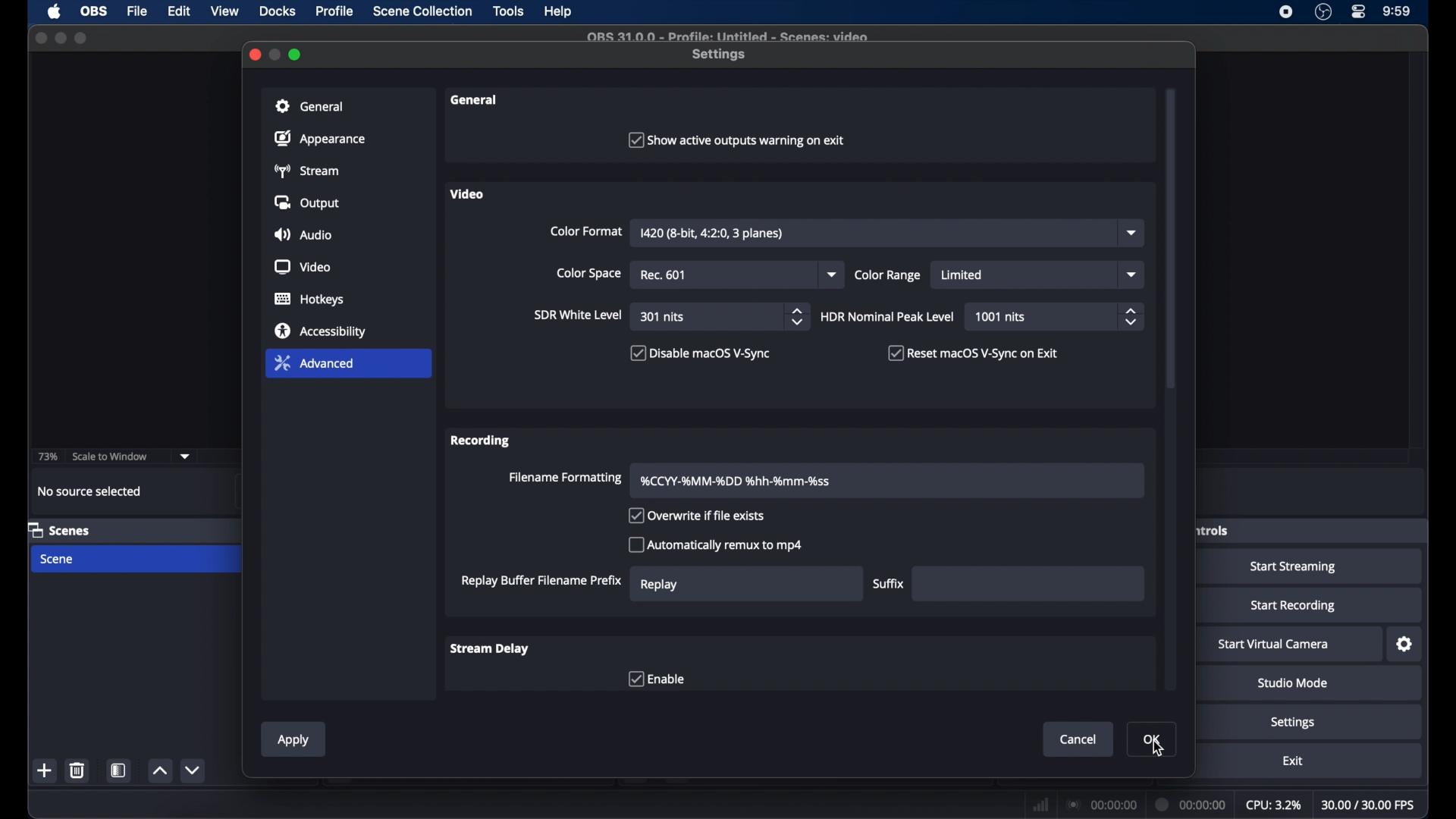  What do you see at coordinates (1292, 761) in the screenshot?
I see `exit` at bounding box center [1292, 761].